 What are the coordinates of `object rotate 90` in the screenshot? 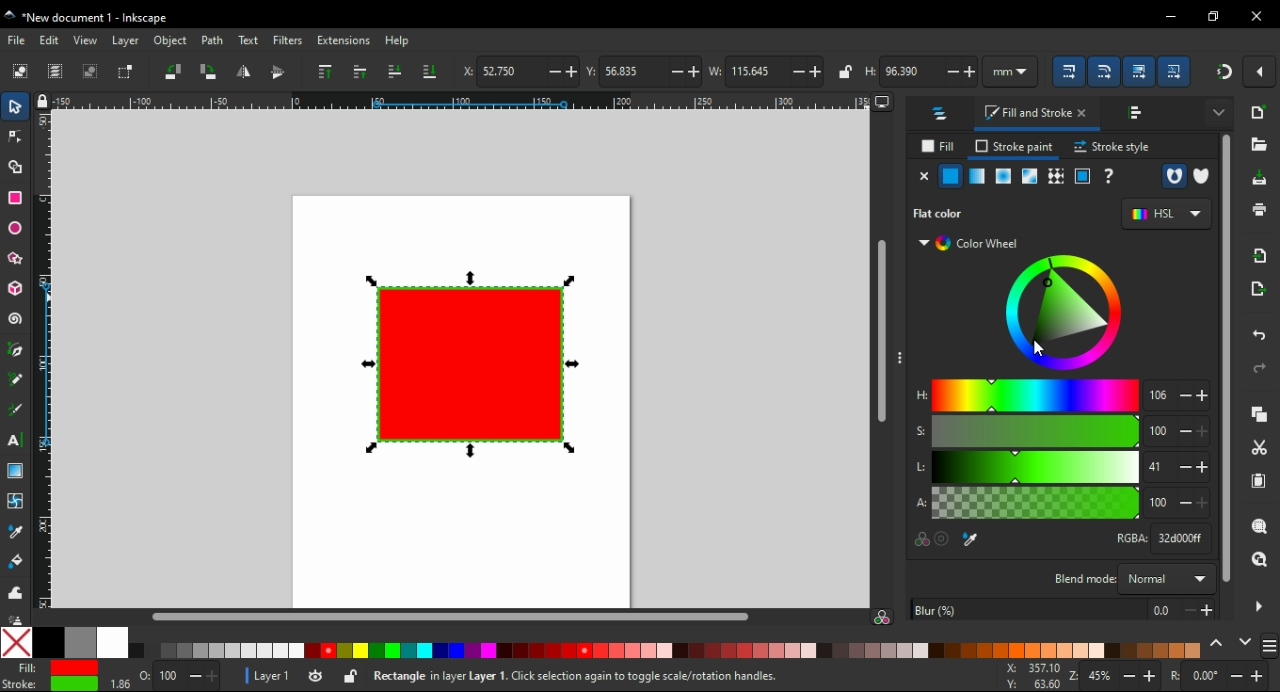 It's located at (208, 72).